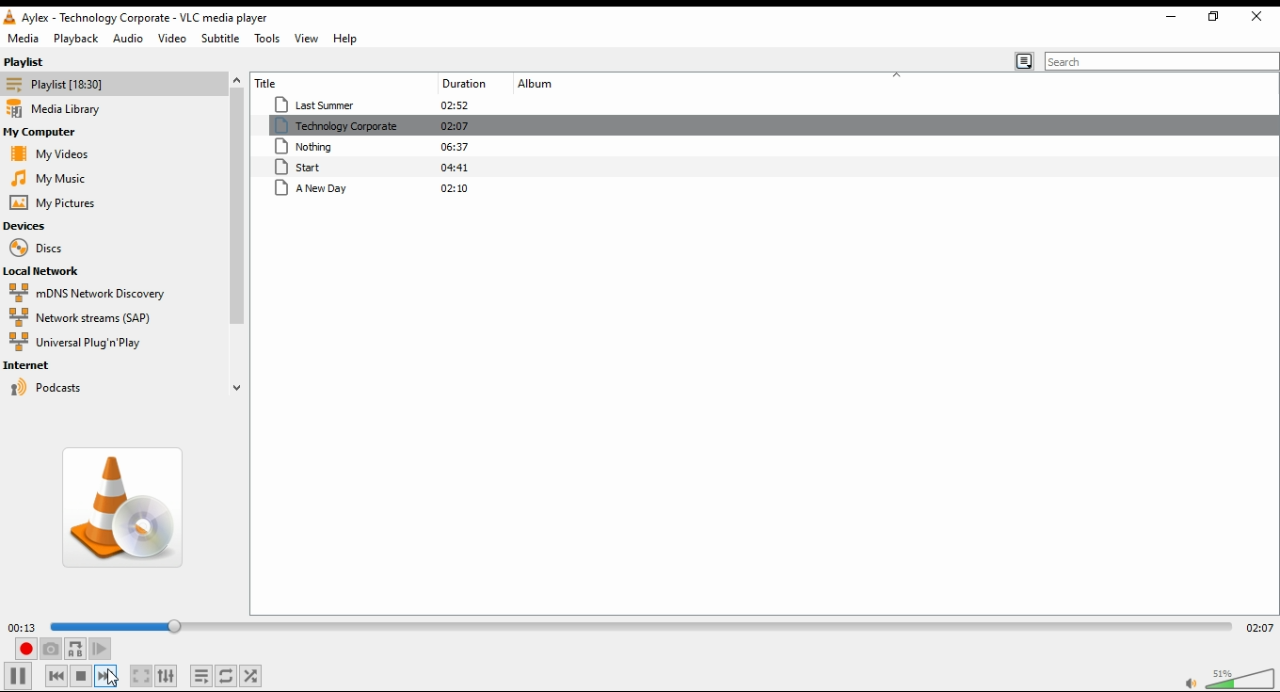  I want to click on random, so click(252, 675).